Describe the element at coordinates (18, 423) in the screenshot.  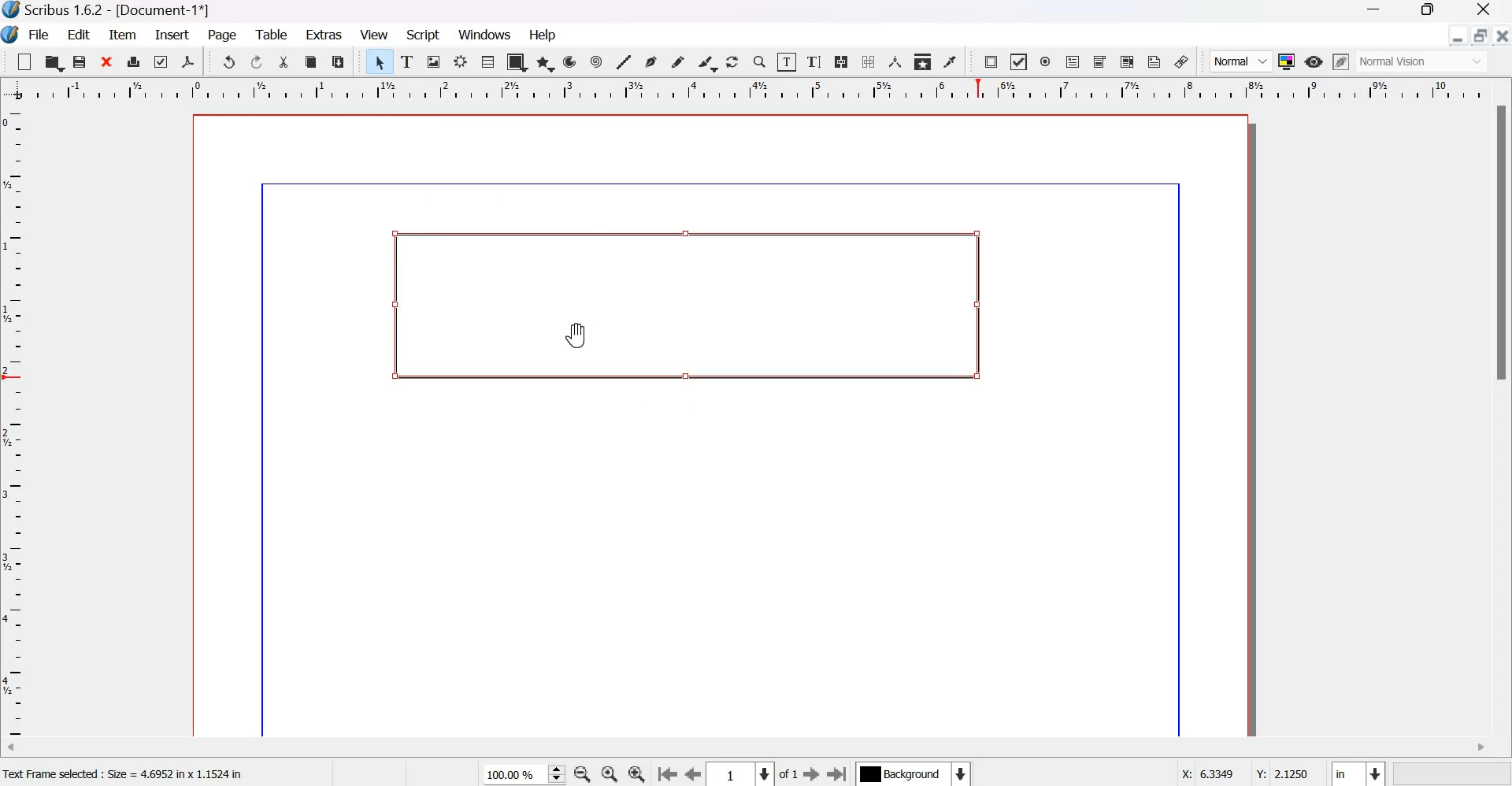
I see `vertical scale` at that location.